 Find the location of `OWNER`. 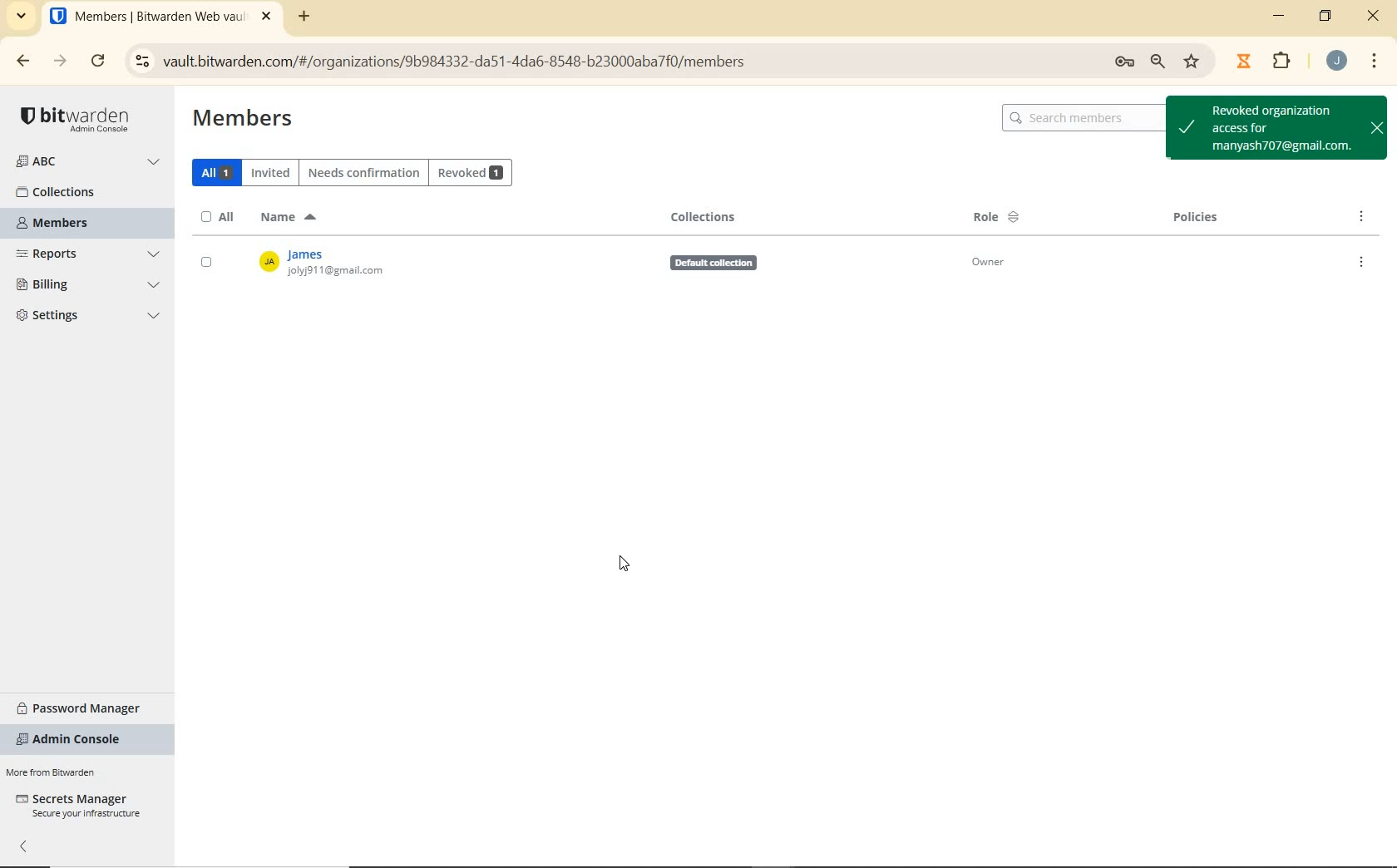

OWNER is located at coordinates (373, 263).